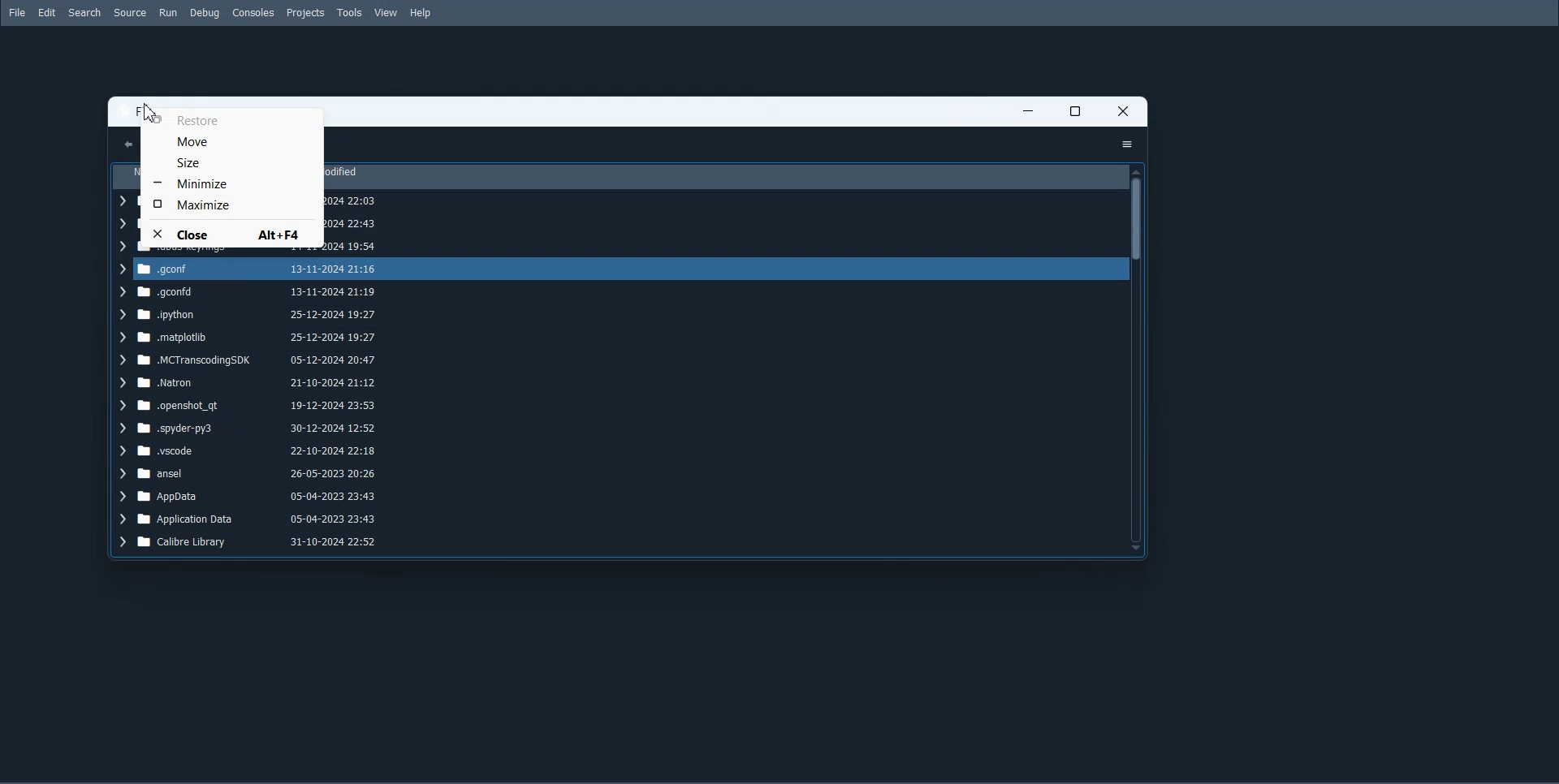 The image size is (1559, 784). I want to click on Move, so click(231, 140).